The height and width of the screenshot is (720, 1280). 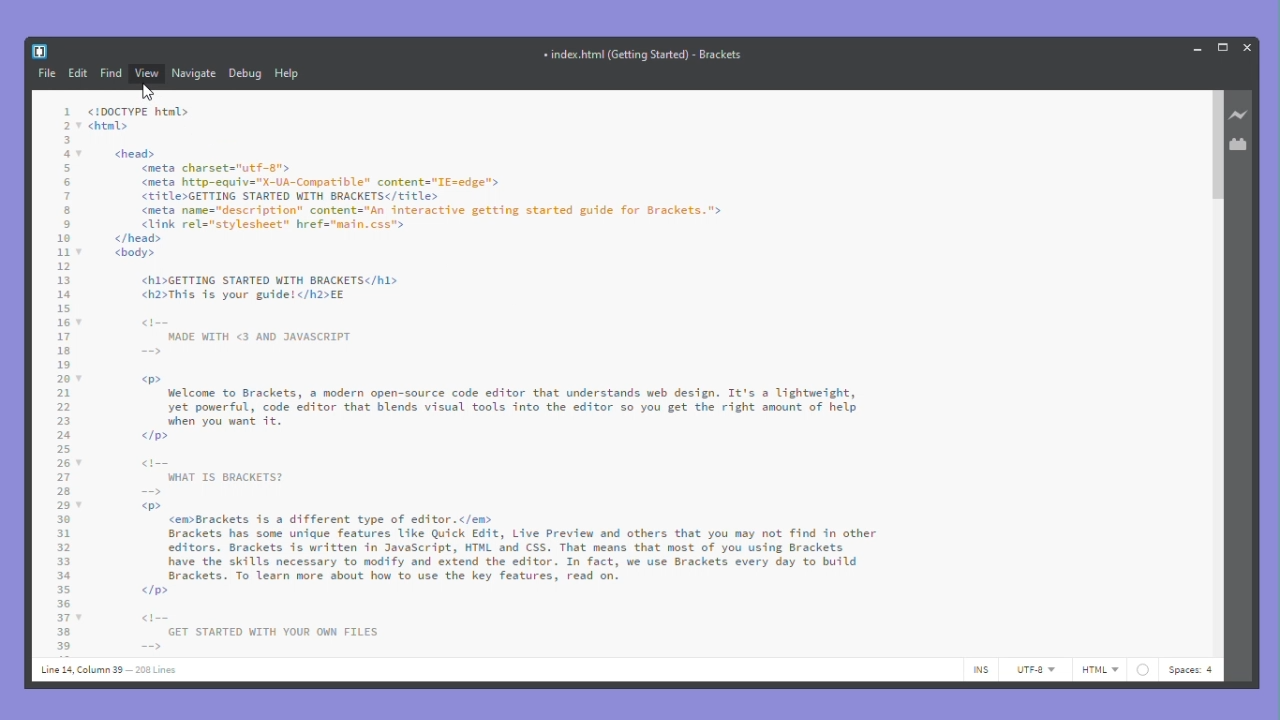 I want to click on 32, so click(x=63, y=548).